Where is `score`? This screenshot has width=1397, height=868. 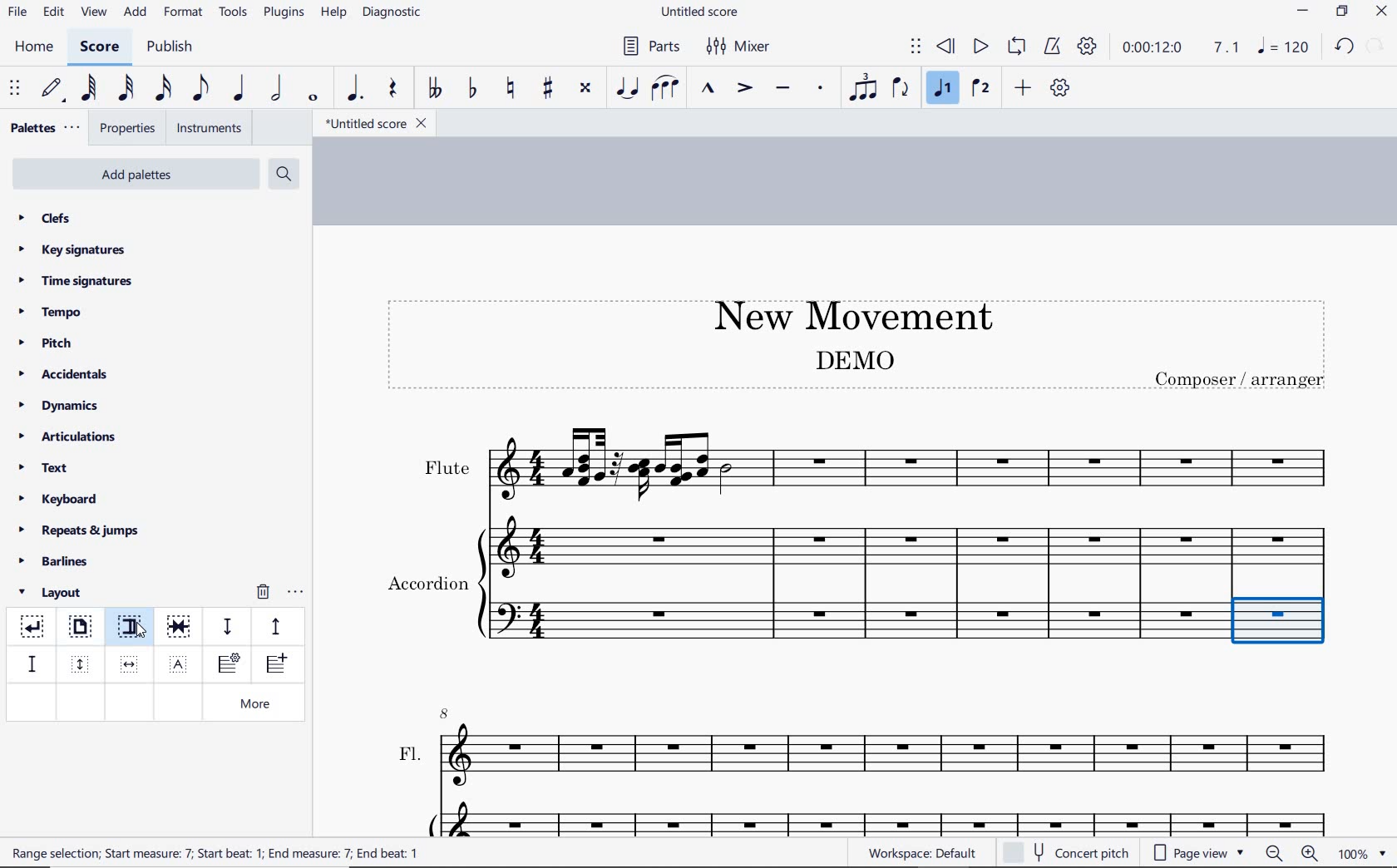 score is located at coordinates (100, 49).